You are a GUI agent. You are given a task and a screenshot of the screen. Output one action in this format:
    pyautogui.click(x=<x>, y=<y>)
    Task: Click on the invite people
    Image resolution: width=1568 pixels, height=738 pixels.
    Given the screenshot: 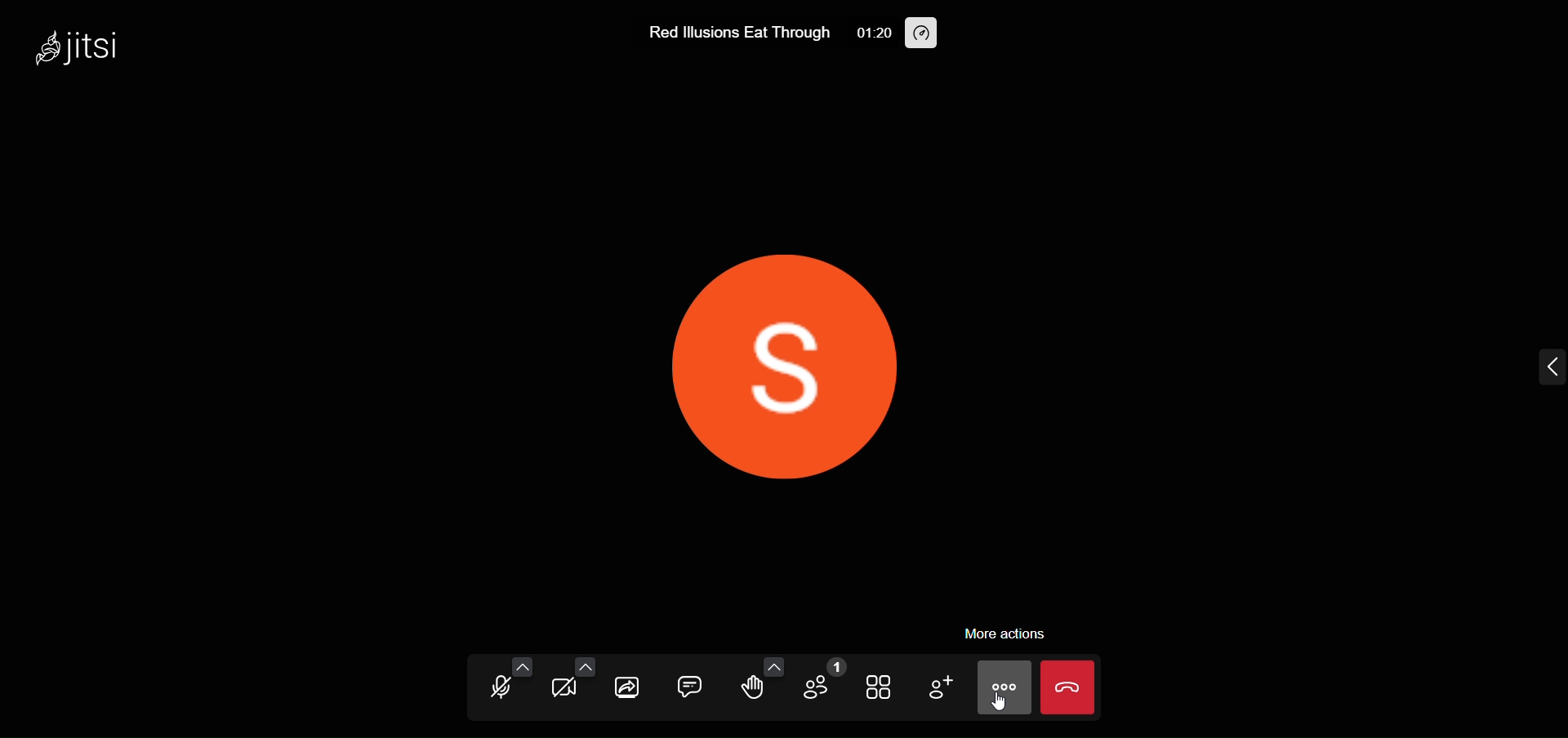 What is the action you would take?
    pyautogui.click(x=944, y=689)
    